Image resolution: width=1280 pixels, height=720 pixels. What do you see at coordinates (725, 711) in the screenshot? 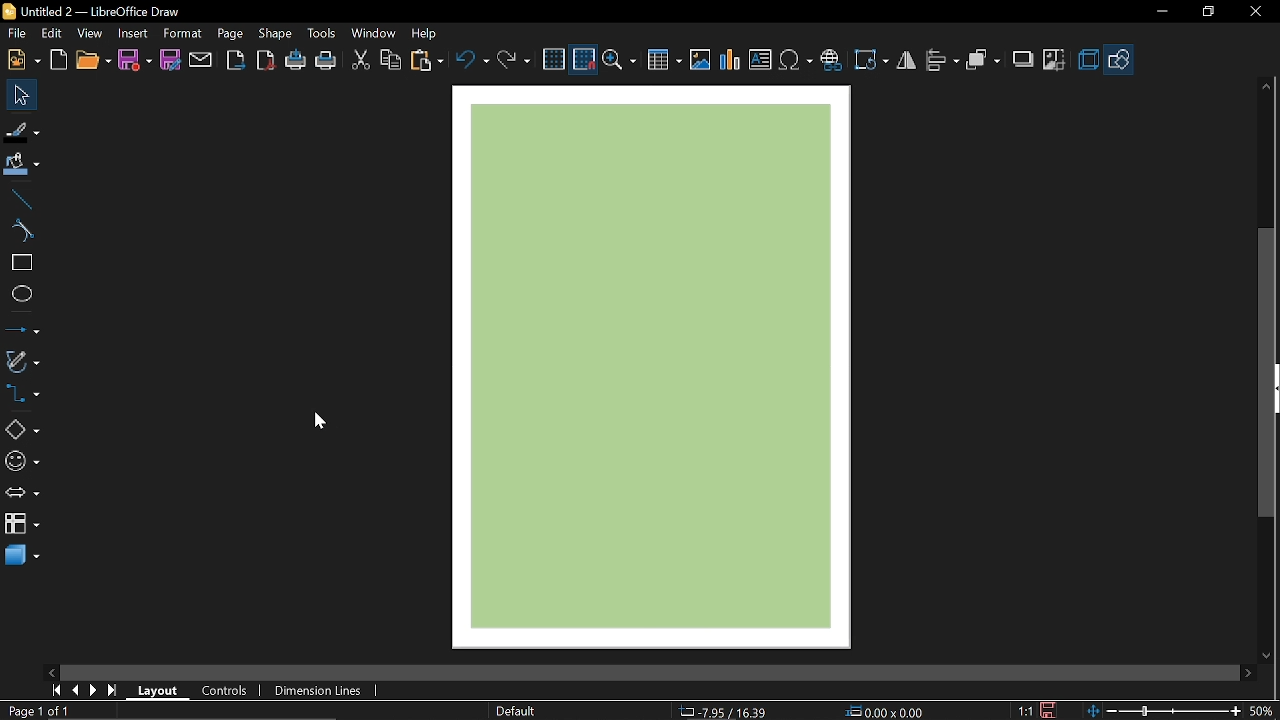
I see `Co-ordinate` at bounding box center [725, 711].